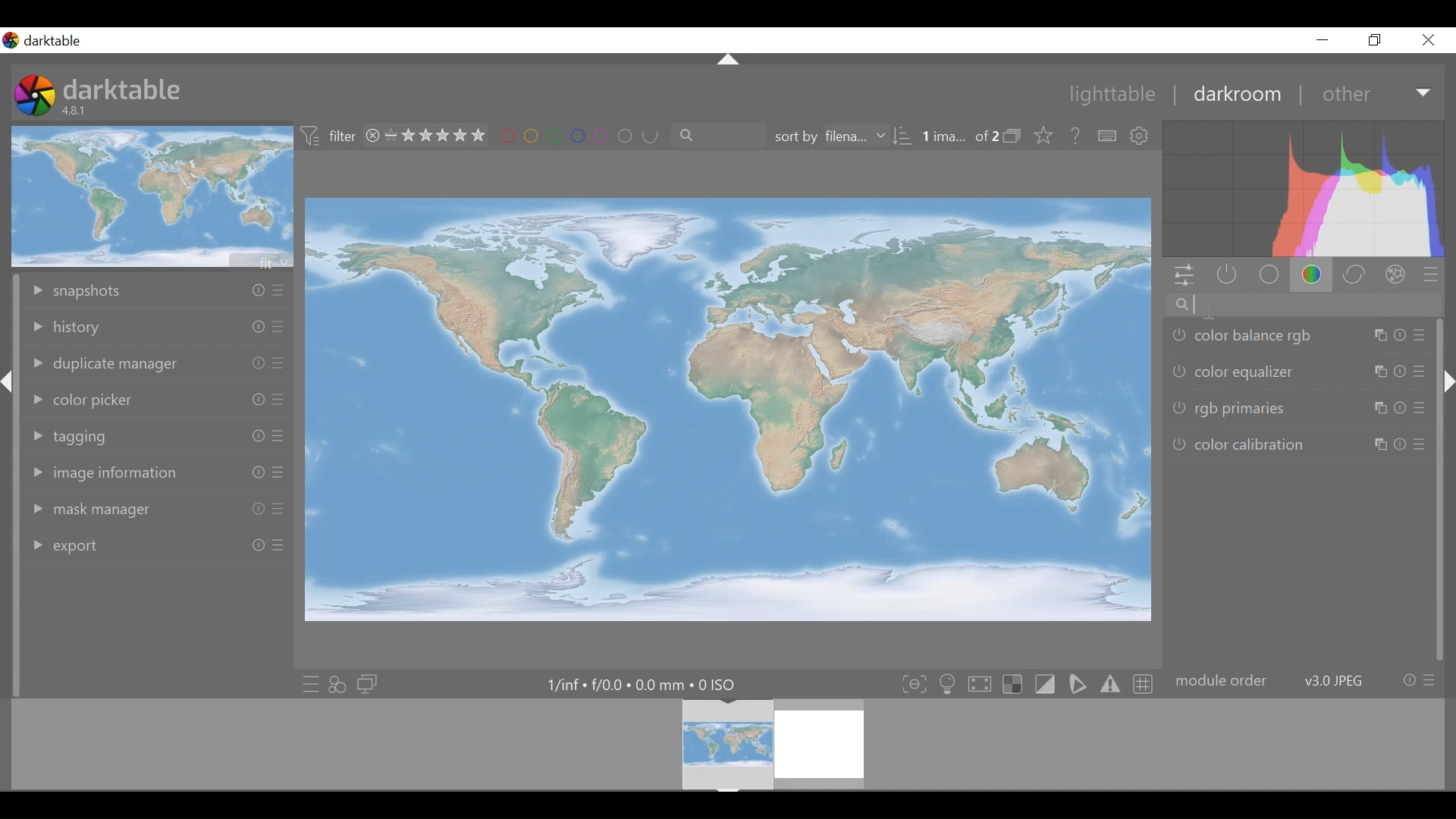 This screenshot has width=1456, height=819. Describe the element at coordinates (979, 684) in the screenshot. I see `toggle high quality processing` at that location.